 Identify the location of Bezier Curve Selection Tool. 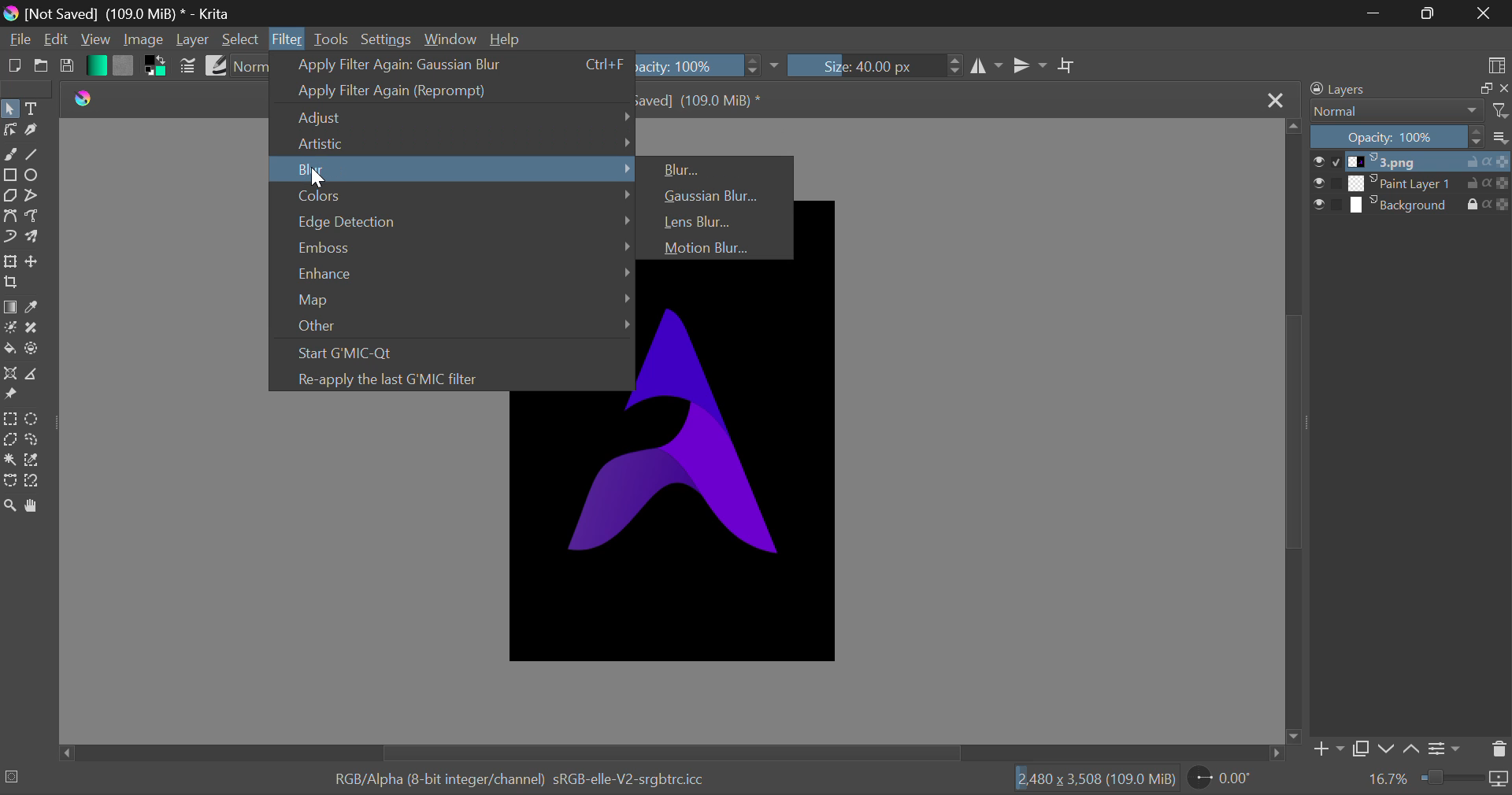
(9, 480).